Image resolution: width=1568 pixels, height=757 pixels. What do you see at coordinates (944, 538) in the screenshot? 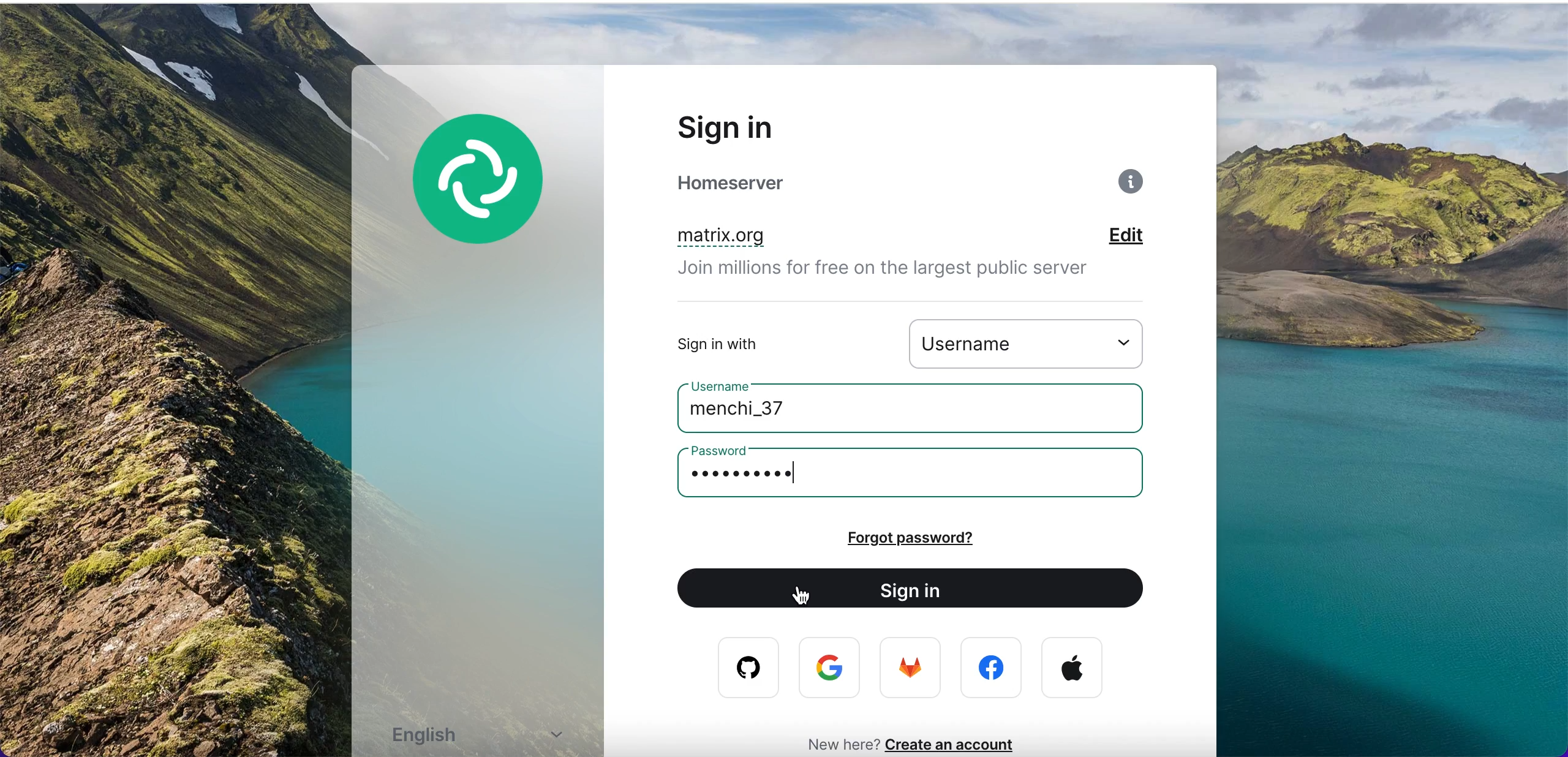
I see `forgot password?` at bounding box center [944, 538].